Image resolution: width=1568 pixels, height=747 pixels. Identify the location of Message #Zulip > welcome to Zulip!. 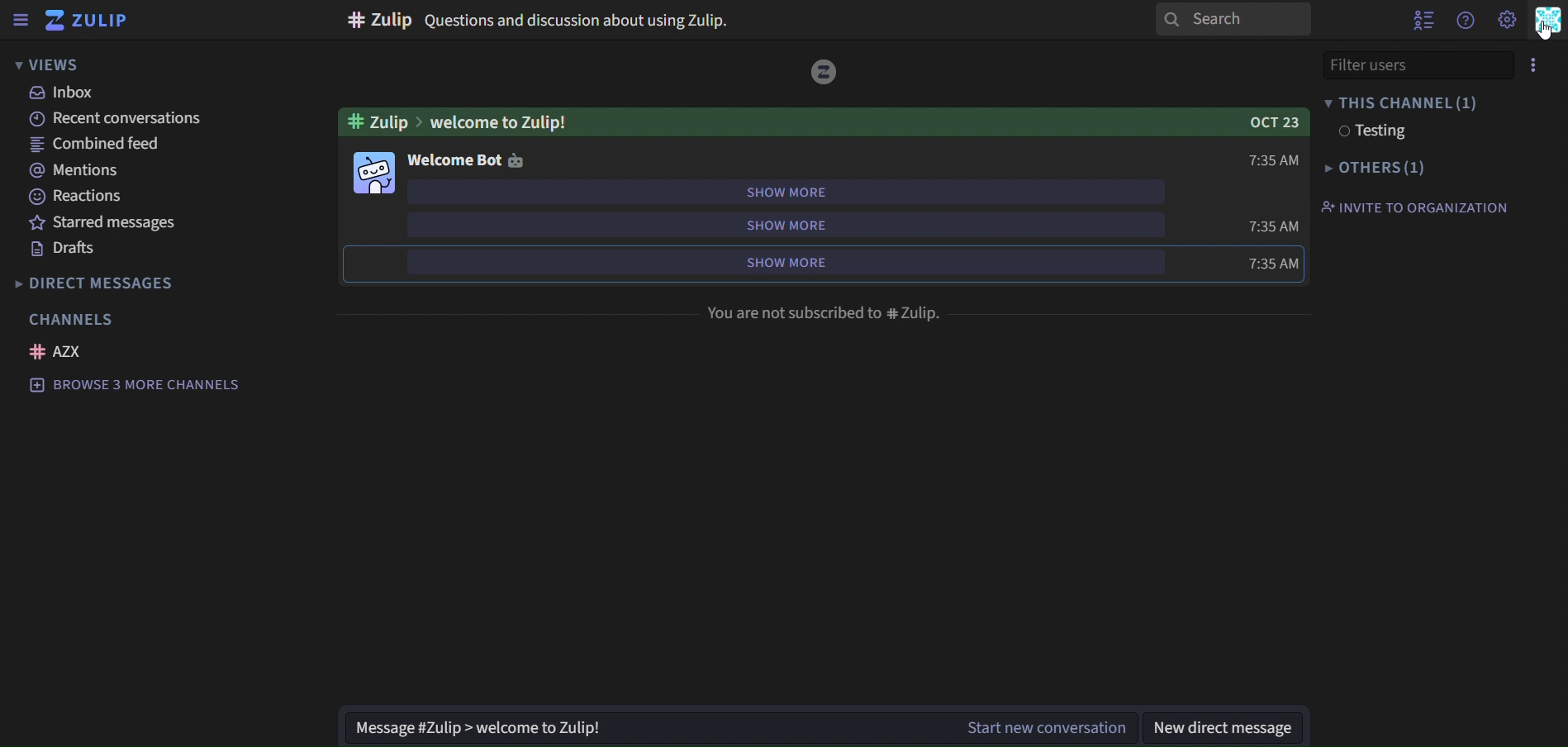
(479, 724).